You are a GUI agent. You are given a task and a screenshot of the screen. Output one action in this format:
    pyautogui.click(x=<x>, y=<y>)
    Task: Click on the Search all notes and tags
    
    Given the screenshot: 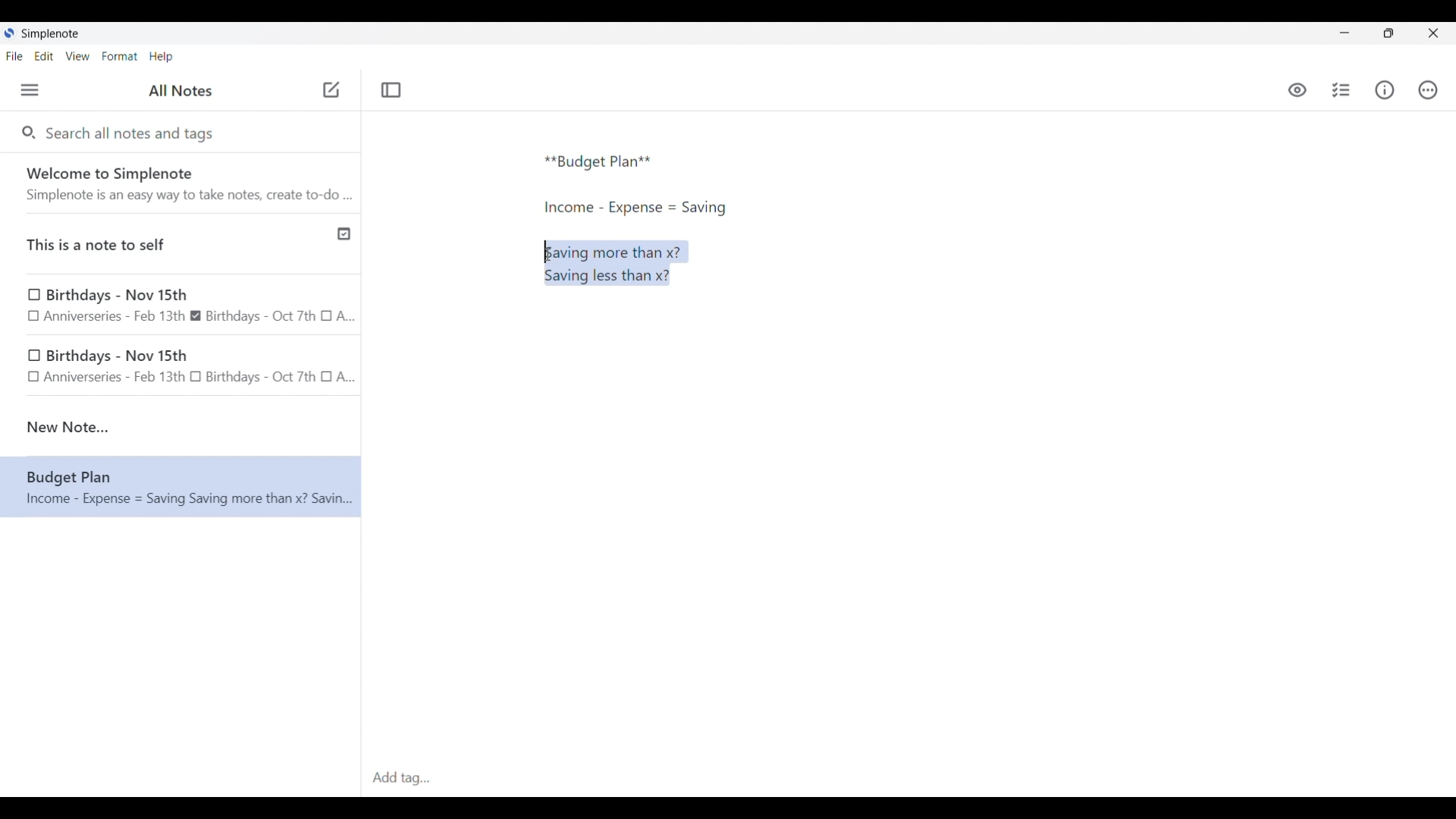 What is the action you would take?
    pyautogui.click(x=133, y=132)
    